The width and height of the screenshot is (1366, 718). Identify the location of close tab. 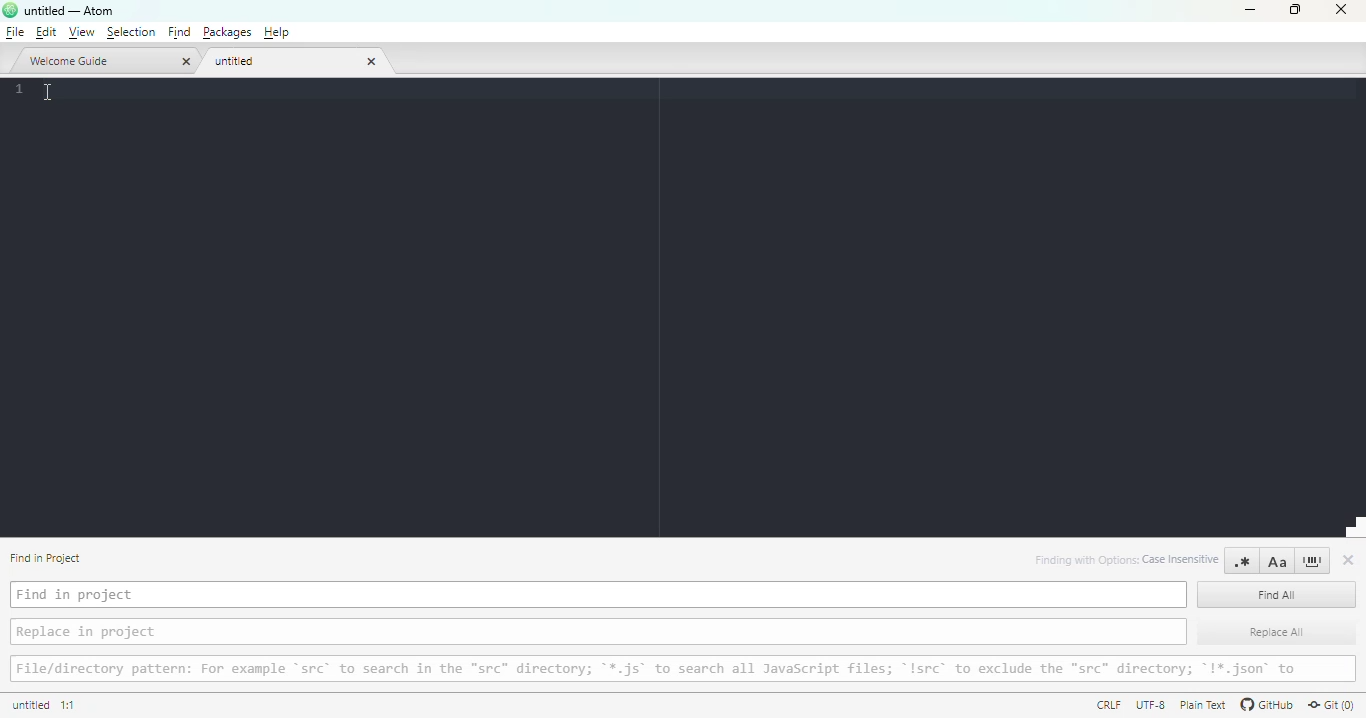
(372, 61).